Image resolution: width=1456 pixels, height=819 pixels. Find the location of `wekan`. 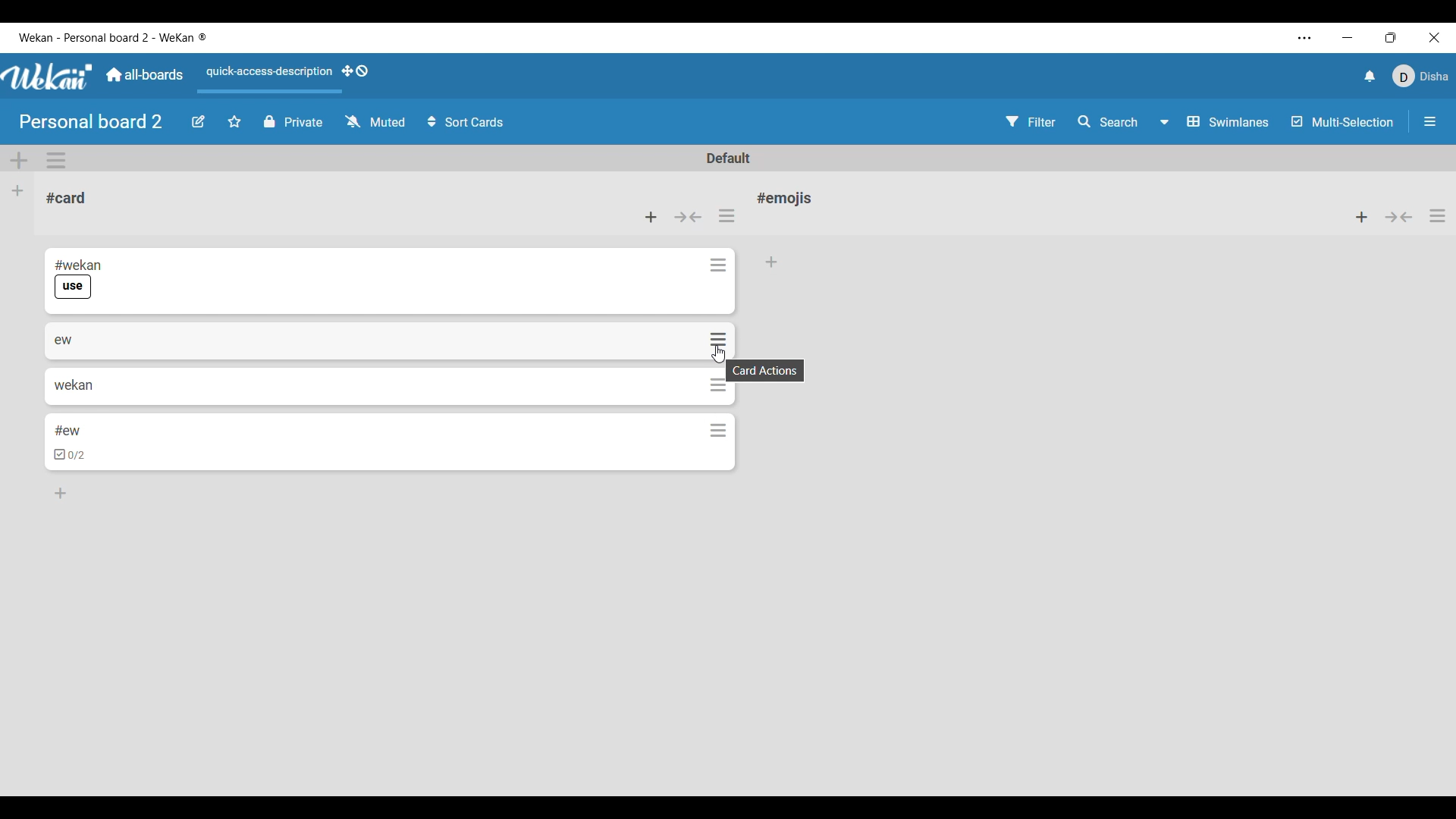

wekan is located at coordinates (74, 385).